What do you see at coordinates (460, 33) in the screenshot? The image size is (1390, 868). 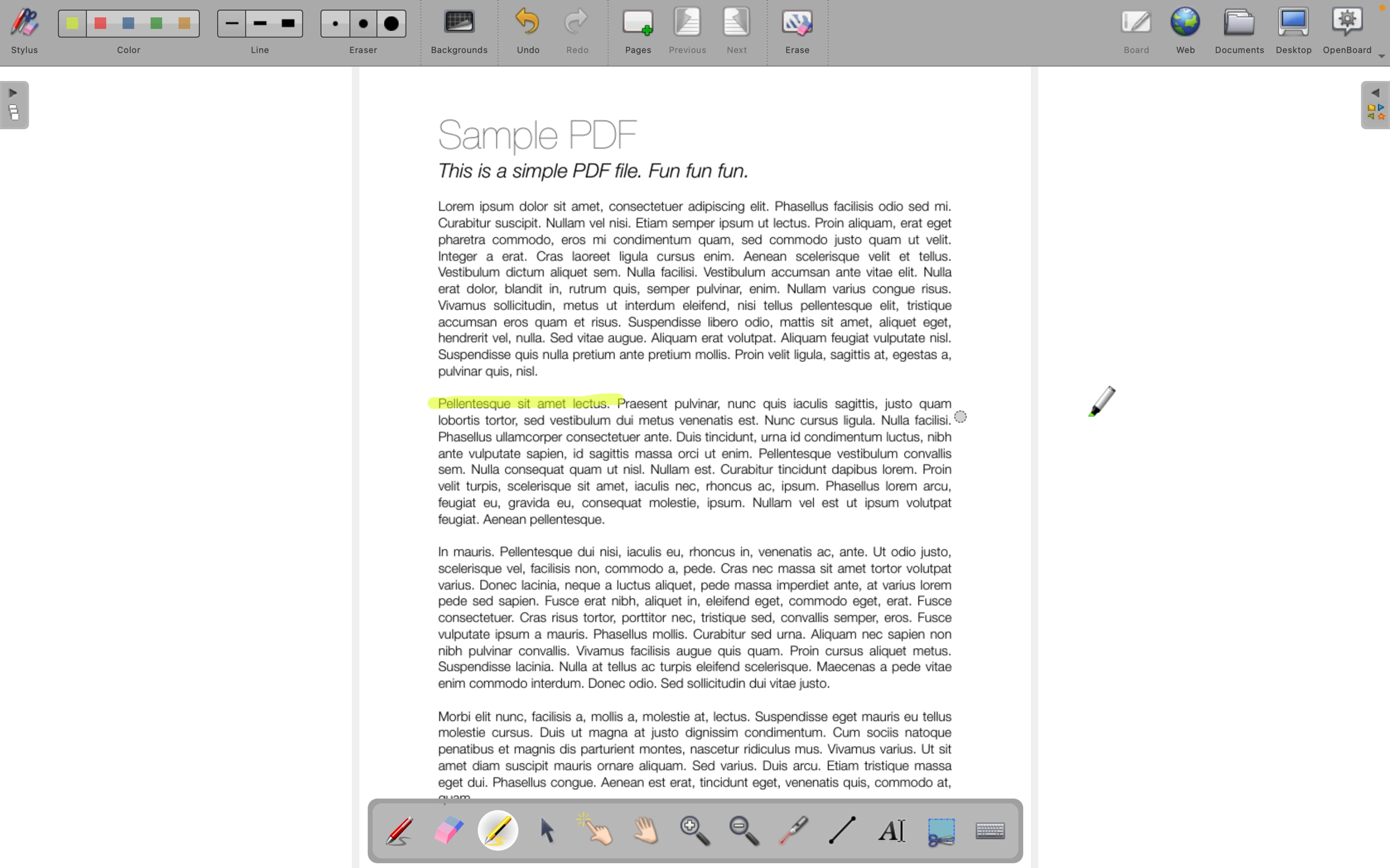 I see `backgrounds` at bounding box center [460, 33].